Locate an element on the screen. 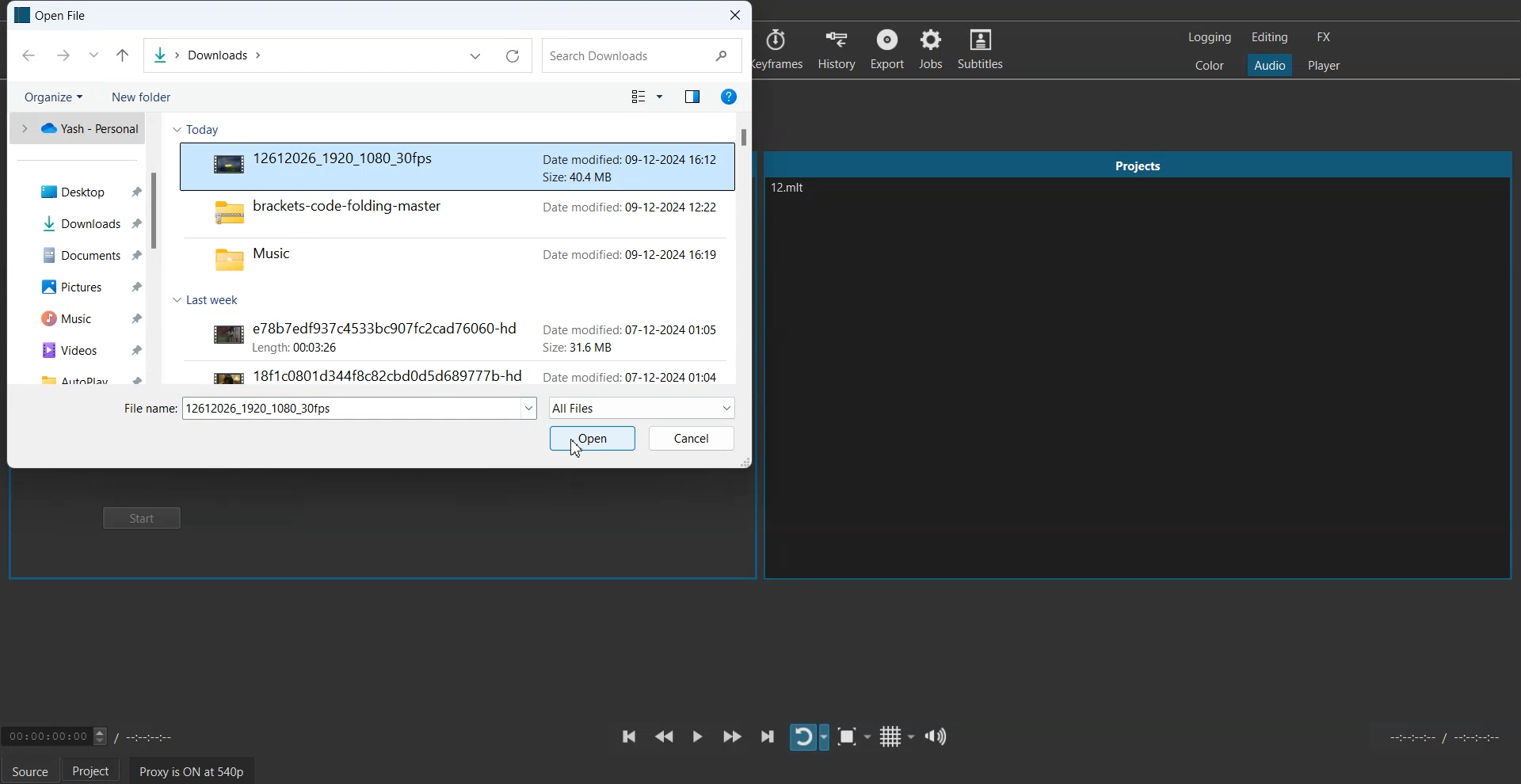  Color is located at coordinates (1210, 64).